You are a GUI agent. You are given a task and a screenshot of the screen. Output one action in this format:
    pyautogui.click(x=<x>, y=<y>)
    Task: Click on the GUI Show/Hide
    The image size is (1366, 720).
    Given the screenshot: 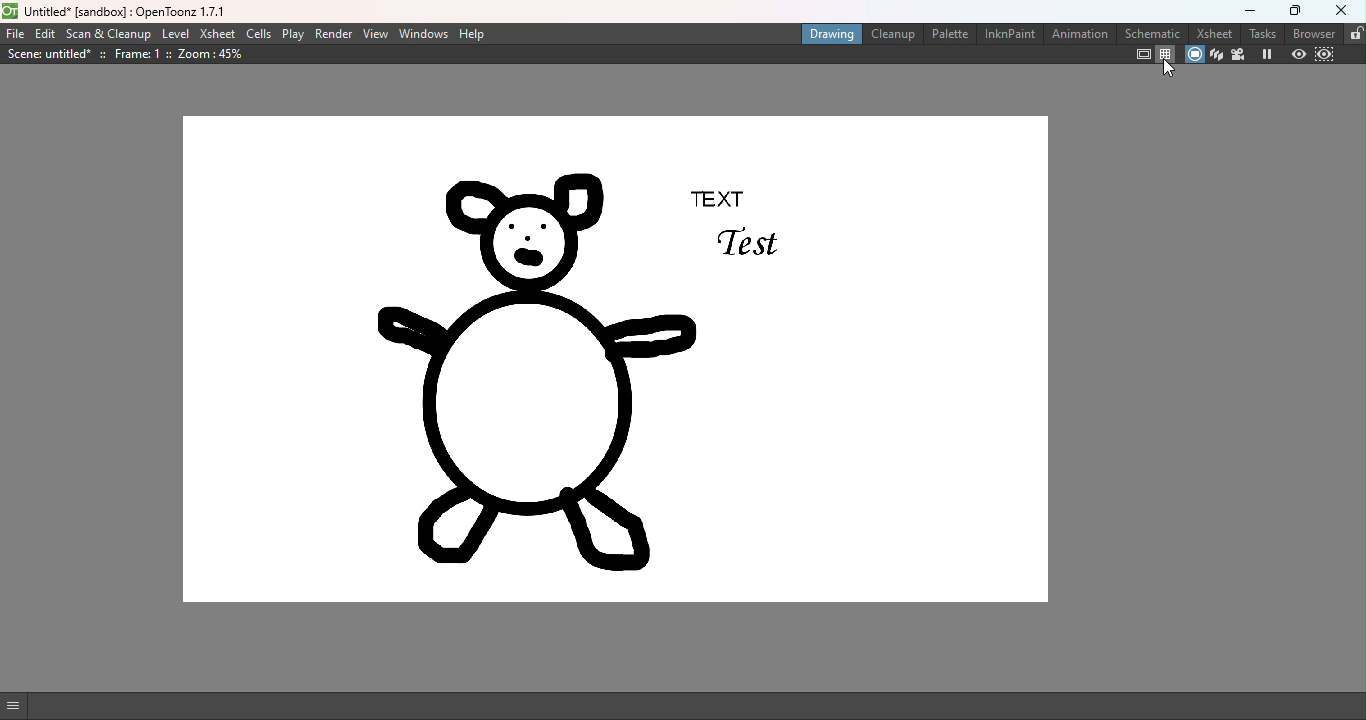 What is the action you would take?
    pyautogui.click(x=22, y=706)
    